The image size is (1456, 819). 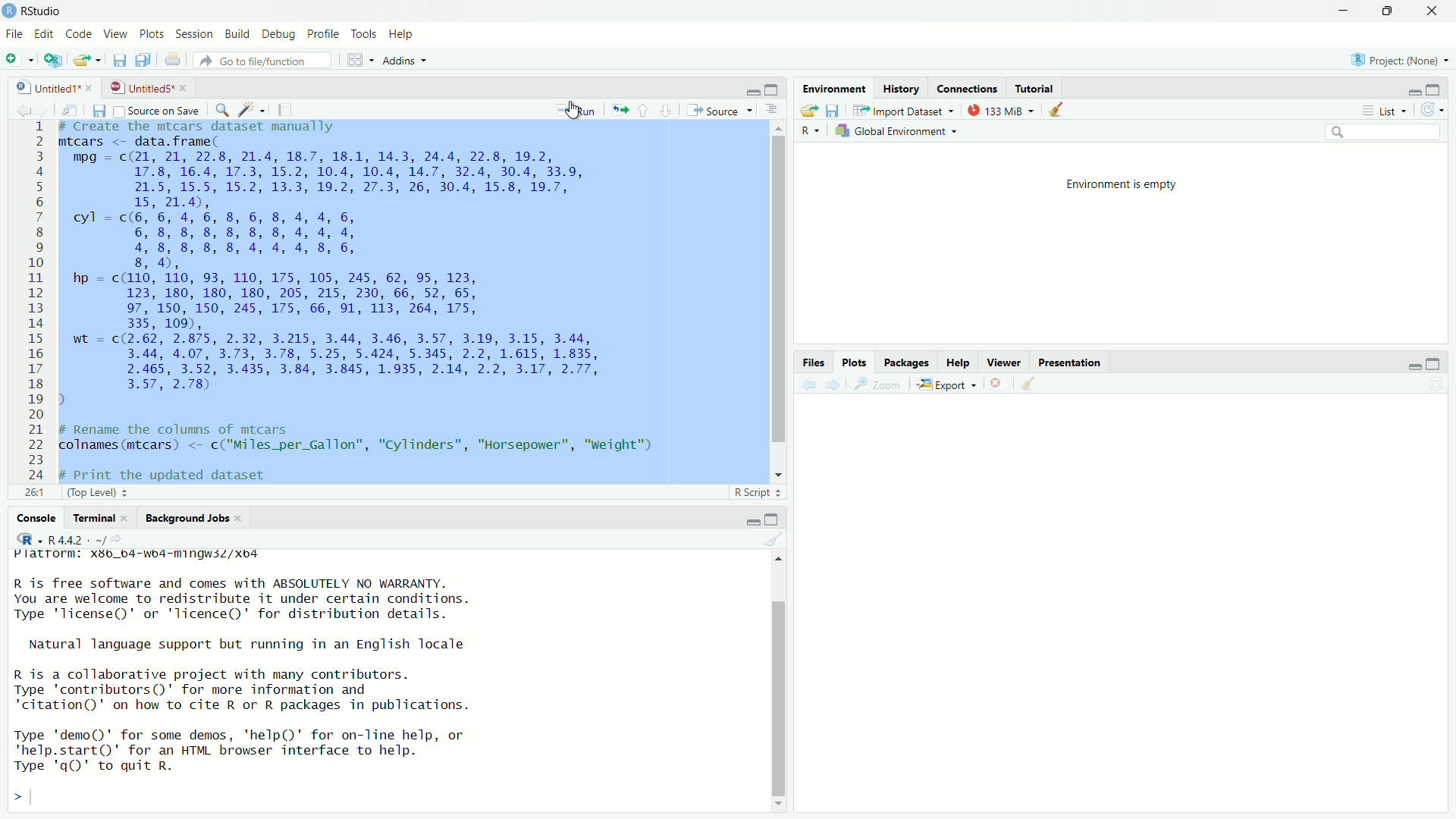 What do you see at coordinates (1062, 111) in the screenshot?
I see `clear` at bounding box center [1062, 111].